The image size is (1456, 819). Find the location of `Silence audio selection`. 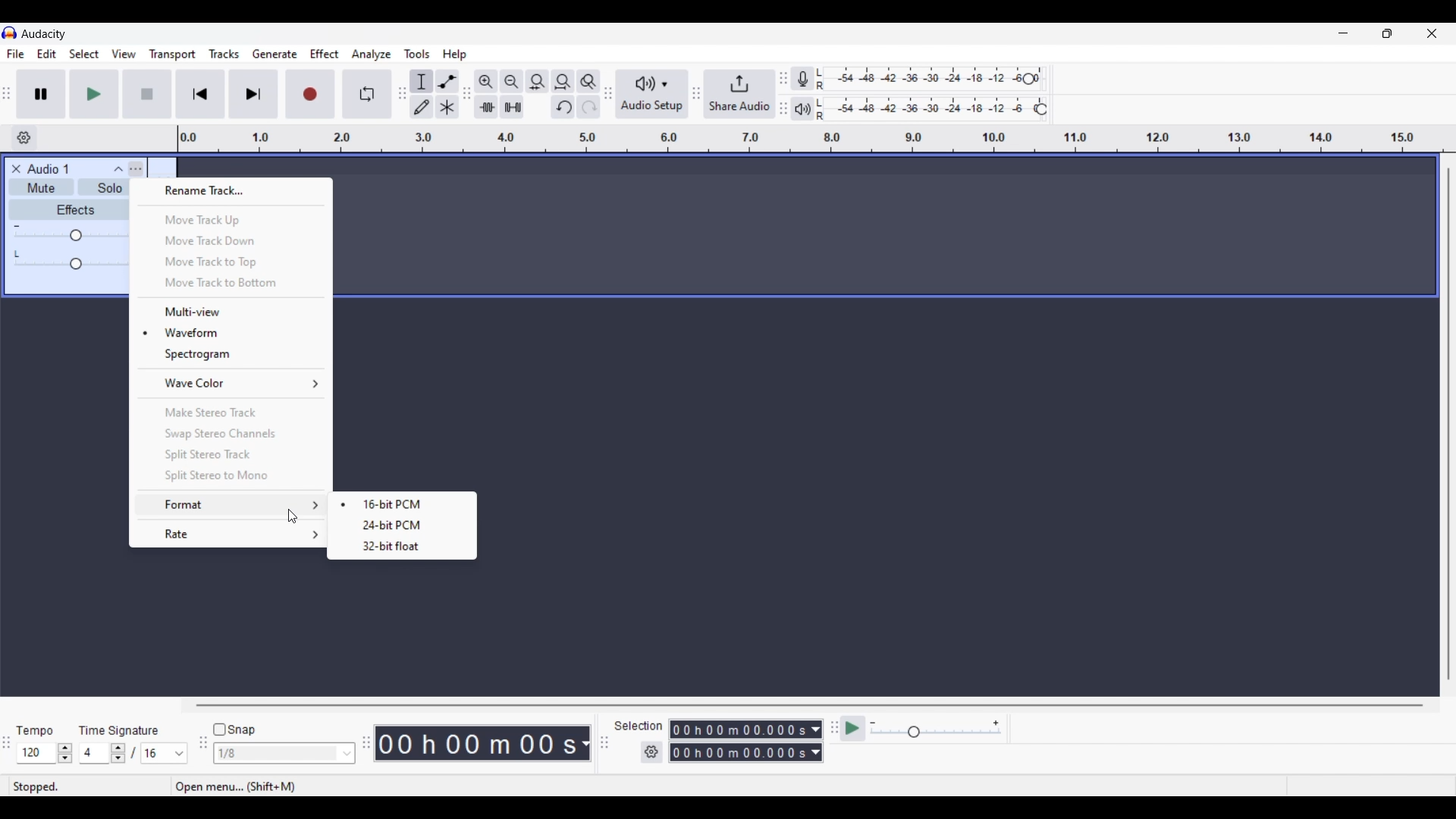

Silence audio selection is located at coordinates (512, 107).